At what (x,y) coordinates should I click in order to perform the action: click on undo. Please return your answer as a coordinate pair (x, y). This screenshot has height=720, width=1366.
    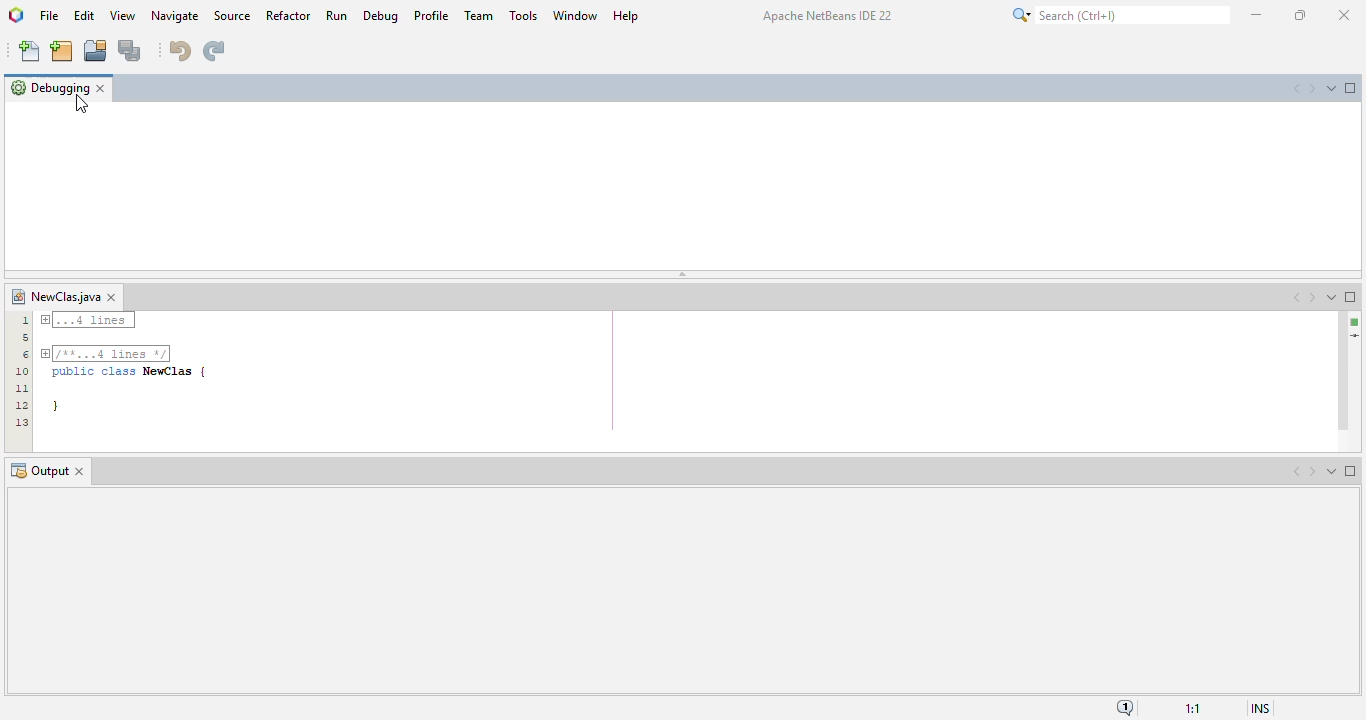
    Looking at the image, I should click on (178, 49).